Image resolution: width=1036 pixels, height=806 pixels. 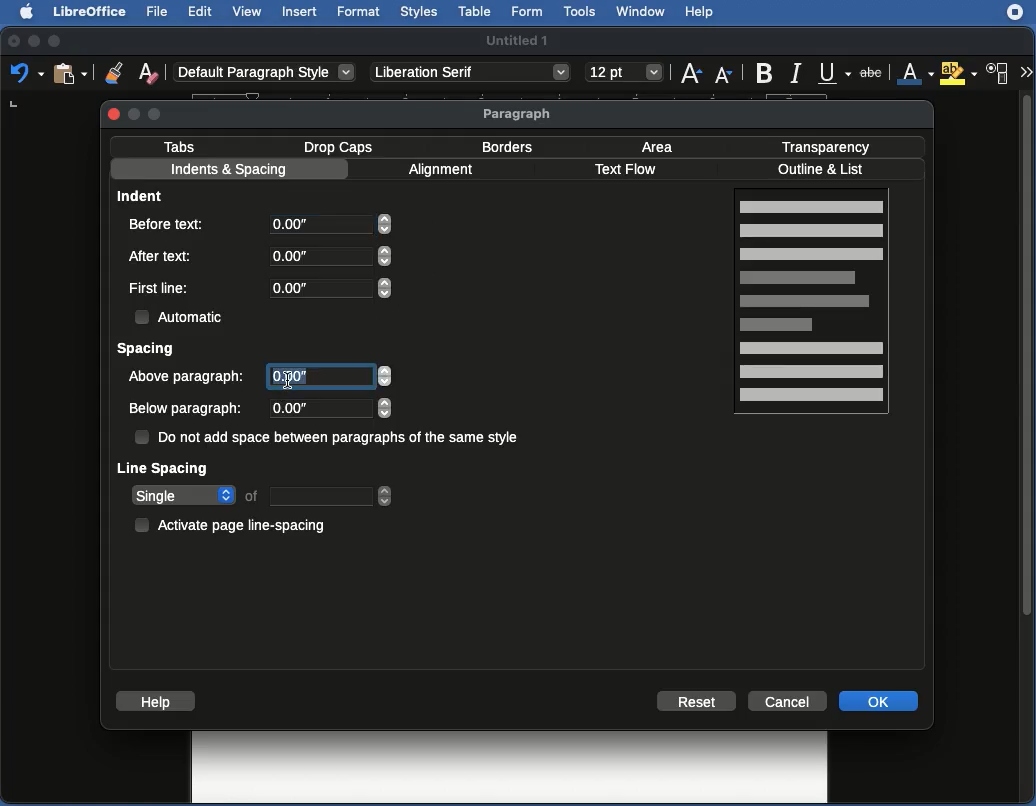 I want to click on Undo, so click(x=26, y=74).